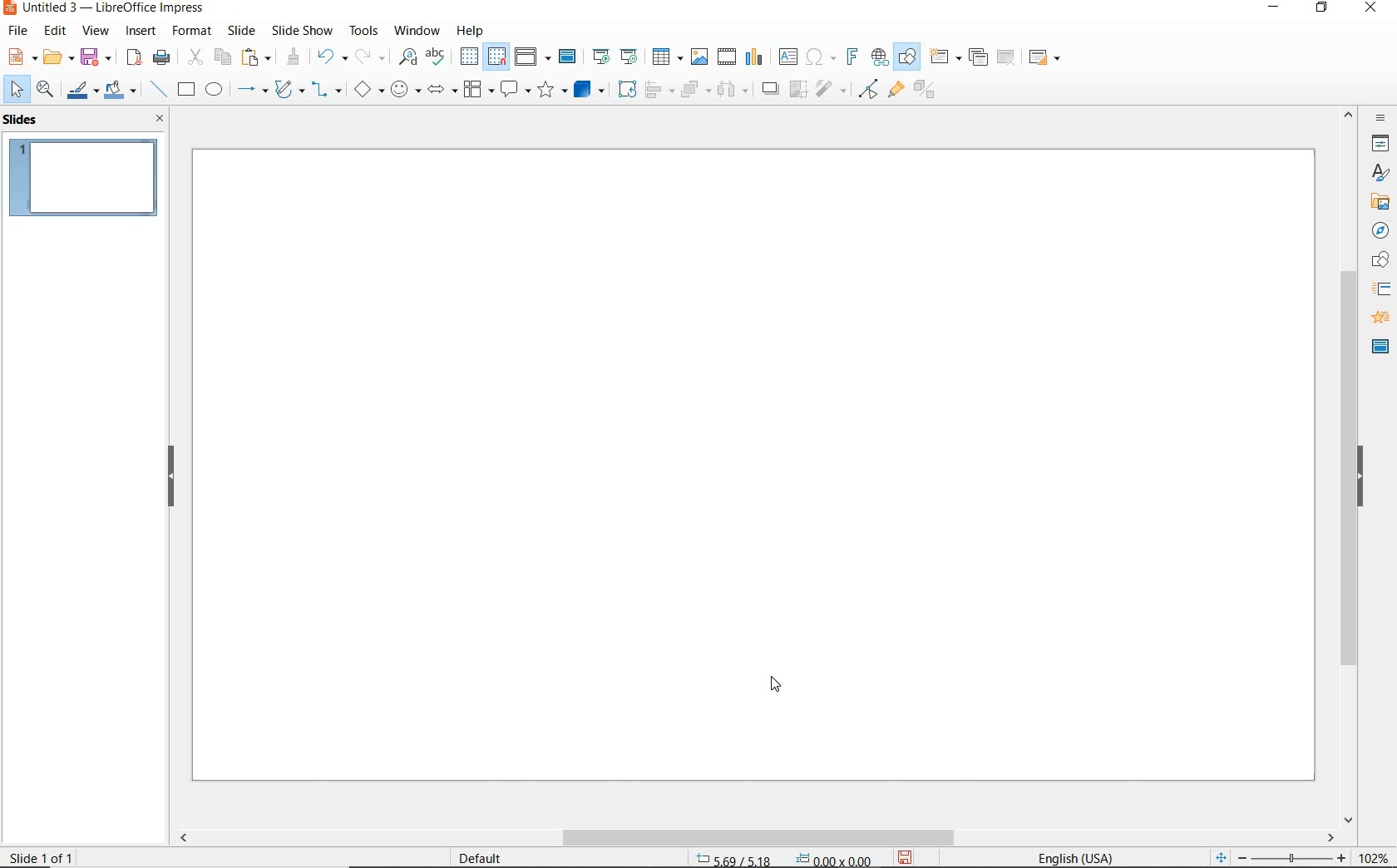 This screenshot has width=1397, height=868. Describe the element at coordinates (470, 57) in the screenshot. I see `DISPLAY GRID` at that location.